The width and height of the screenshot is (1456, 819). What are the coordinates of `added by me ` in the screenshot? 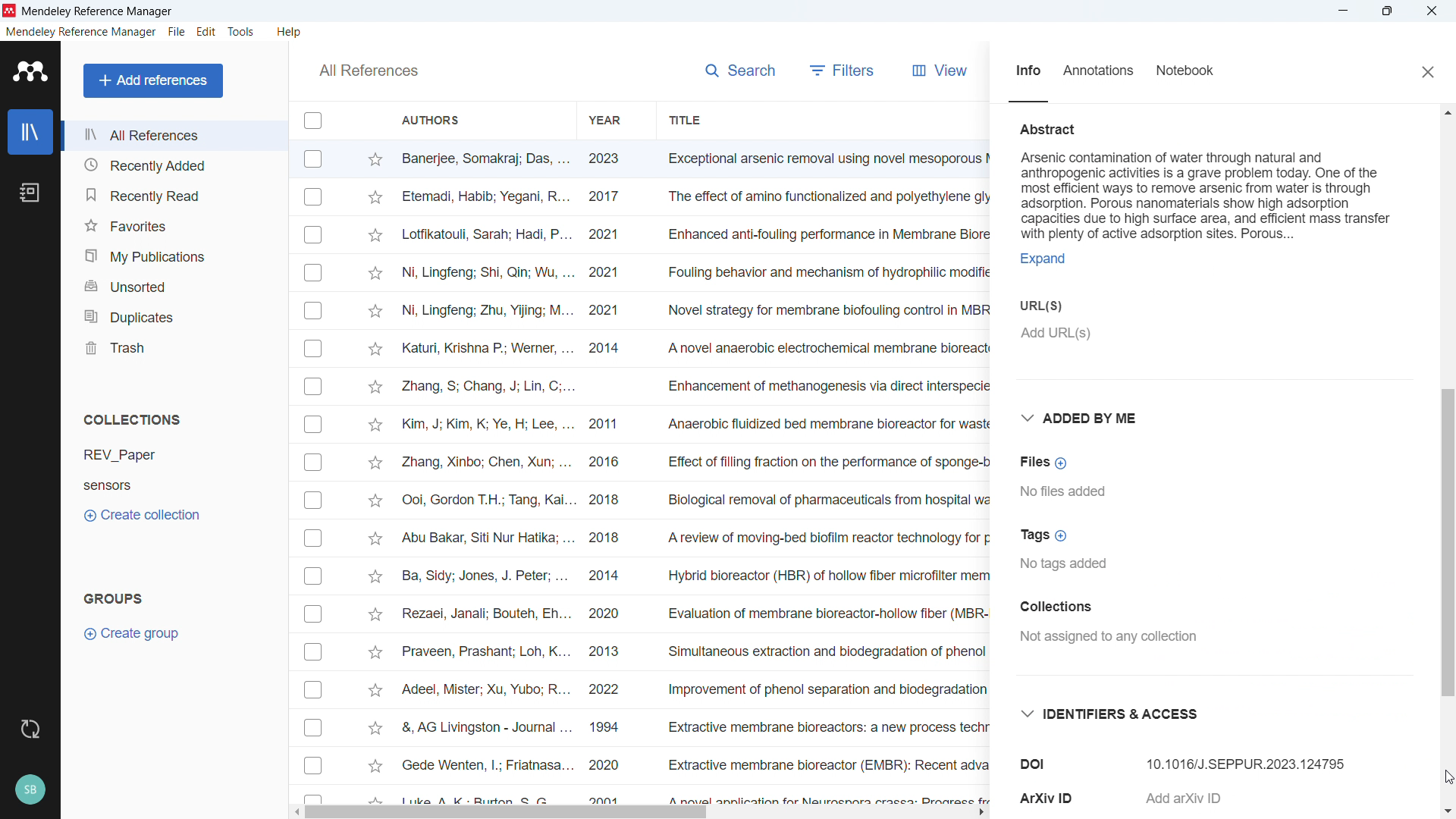 It's located at (1084, 416).